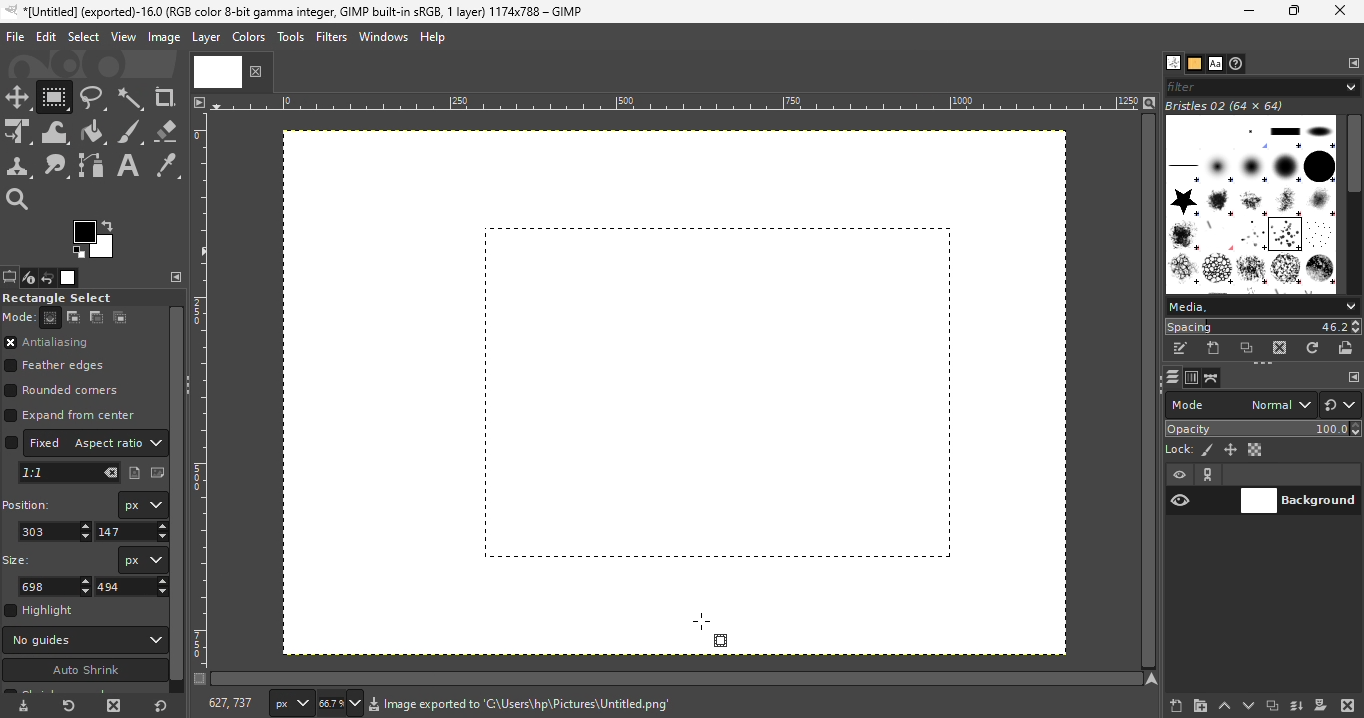 This screenshot has width=1364, height=718. What do you see at coordinates (1166, 705) in the screenshot?
I see `Create a new layer` at bounding box center [1166, 705].